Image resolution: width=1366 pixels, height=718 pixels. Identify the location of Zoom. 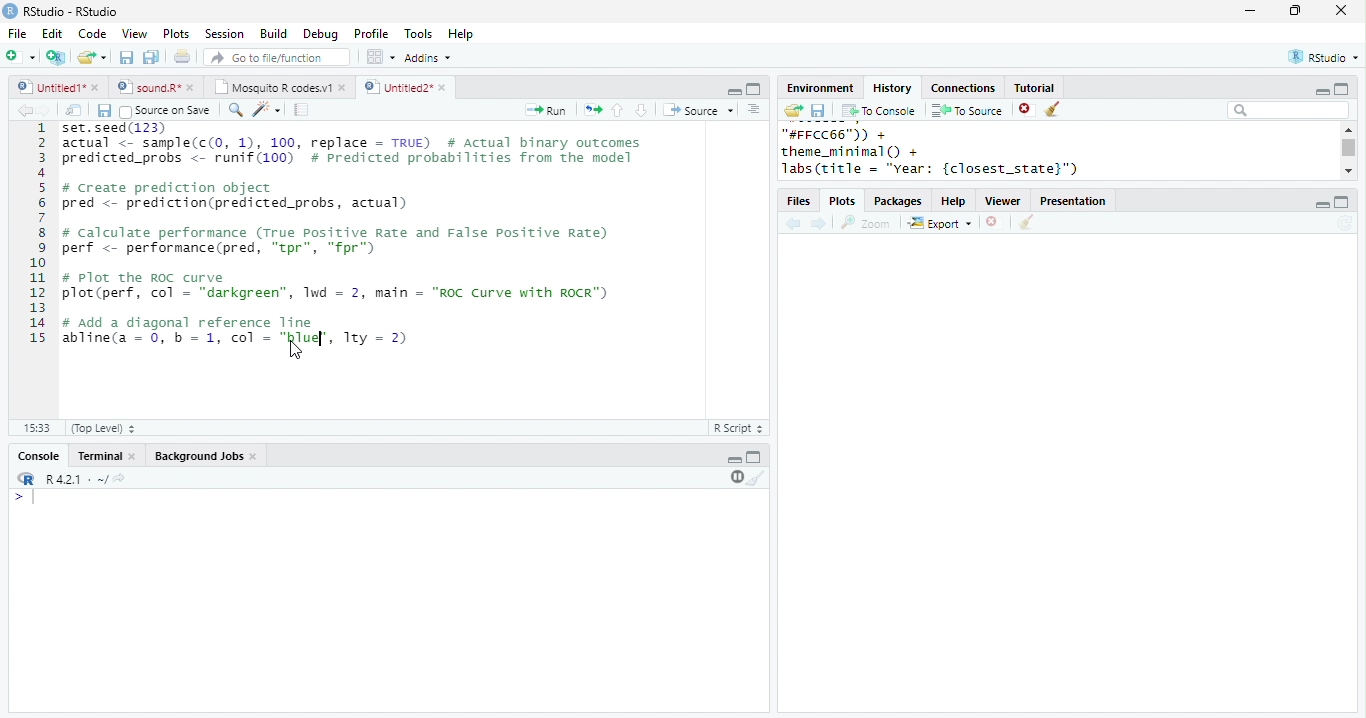
(866, 223).